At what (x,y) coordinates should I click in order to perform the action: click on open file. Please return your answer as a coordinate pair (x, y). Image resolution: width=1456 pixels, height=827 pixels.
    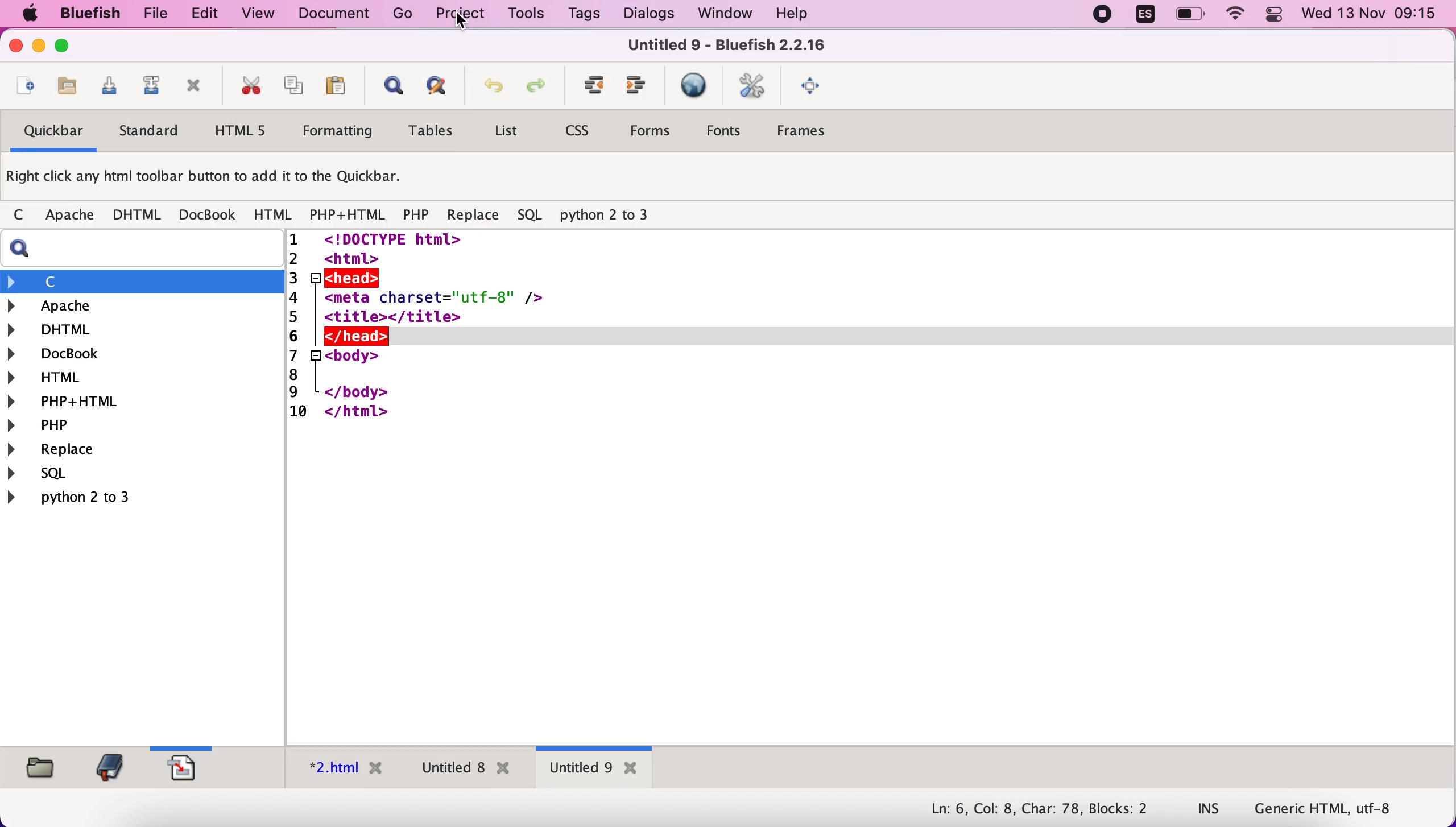
    Looking at the image, I should click on (23, 88).